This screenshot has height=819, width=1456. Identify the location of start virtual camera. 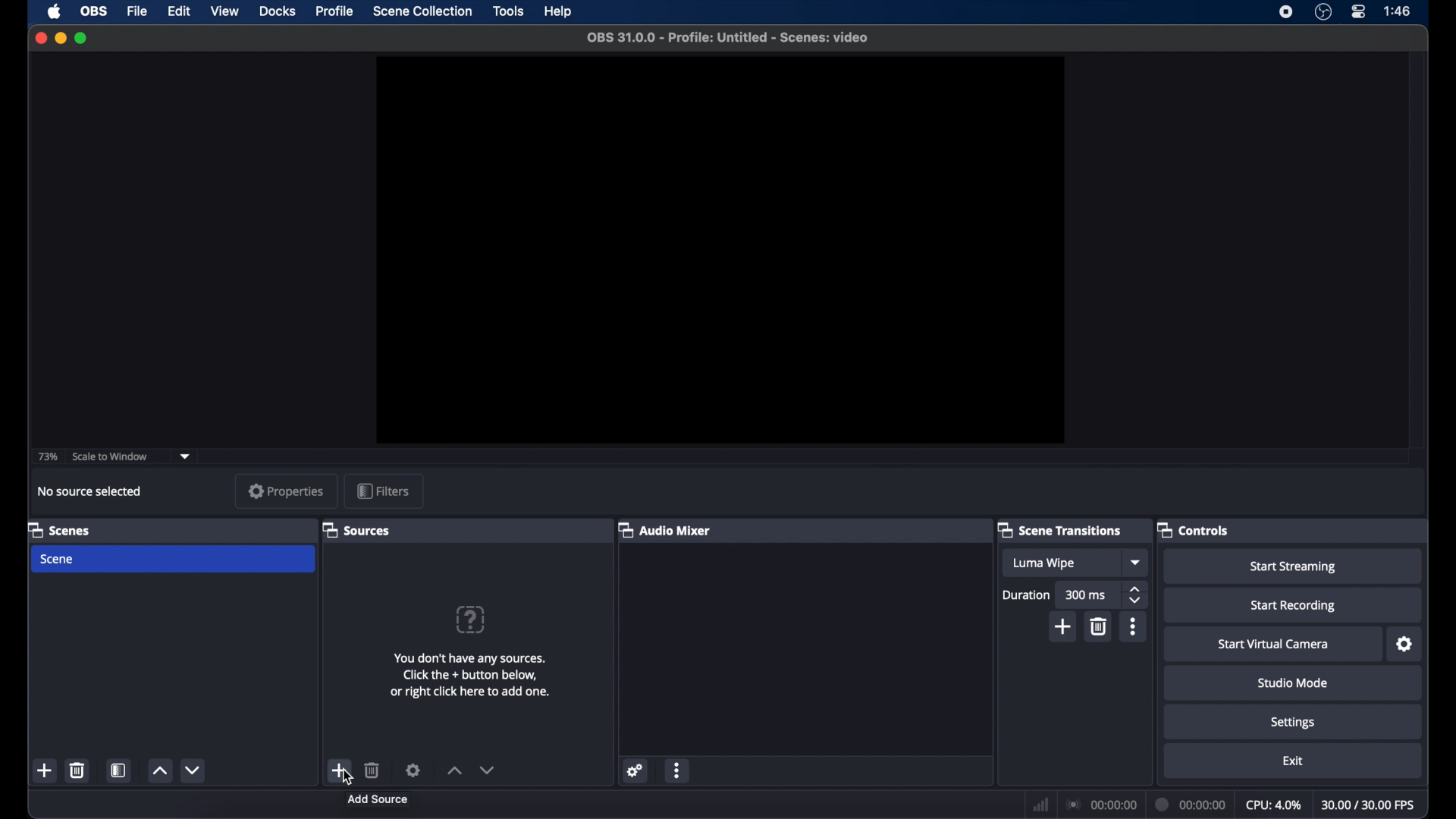
(1277, 645).